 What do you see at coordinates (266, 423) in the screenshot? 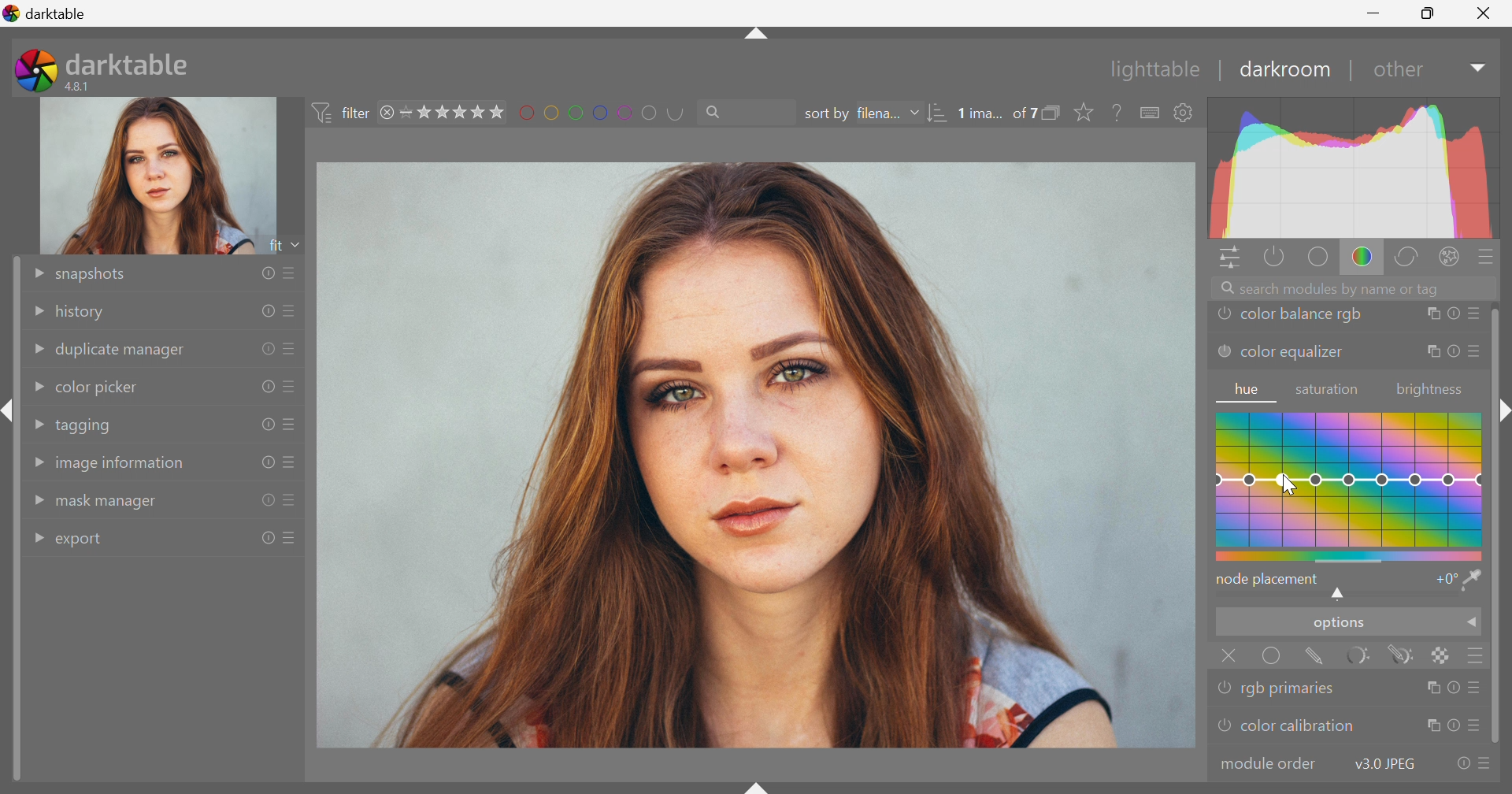
I see `reset` at bounding box center [266, 423].